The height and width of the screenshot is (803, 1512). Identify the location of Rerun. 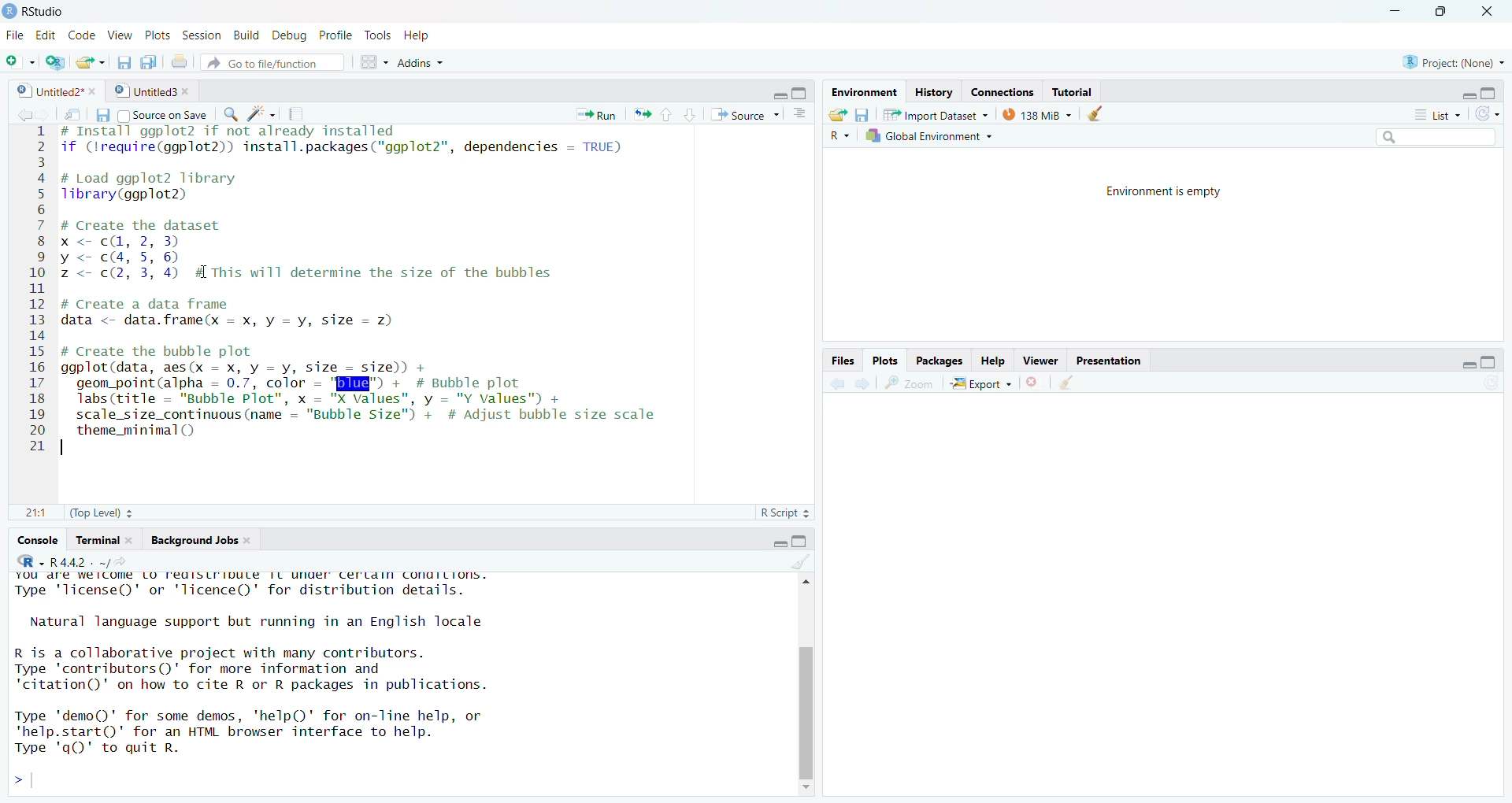
(643, 114).